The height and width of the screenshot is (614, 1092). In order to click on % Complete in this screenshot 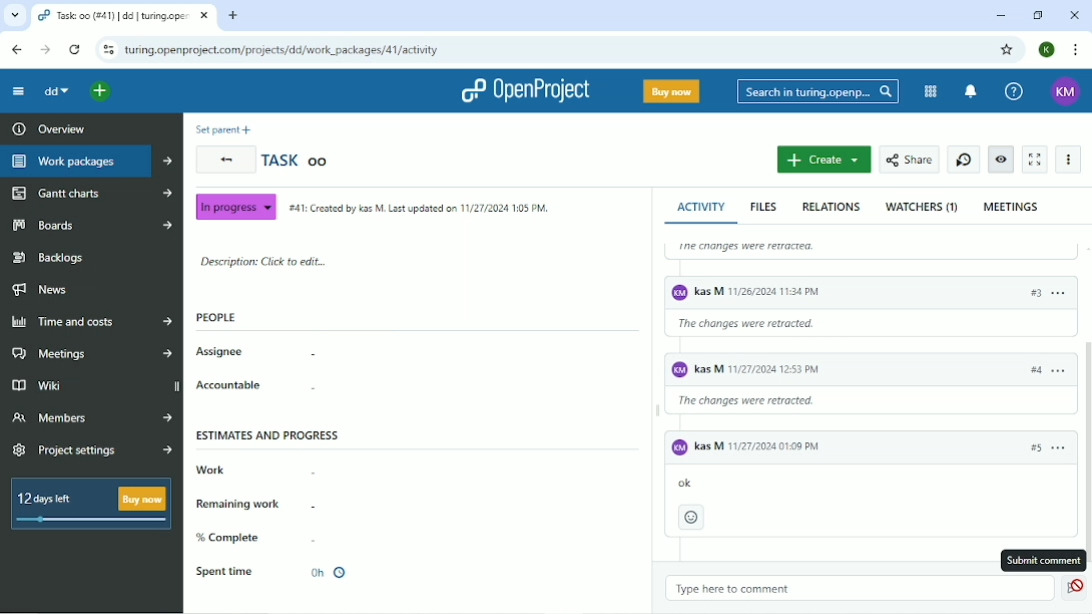, I will do `click(269, 537)`.